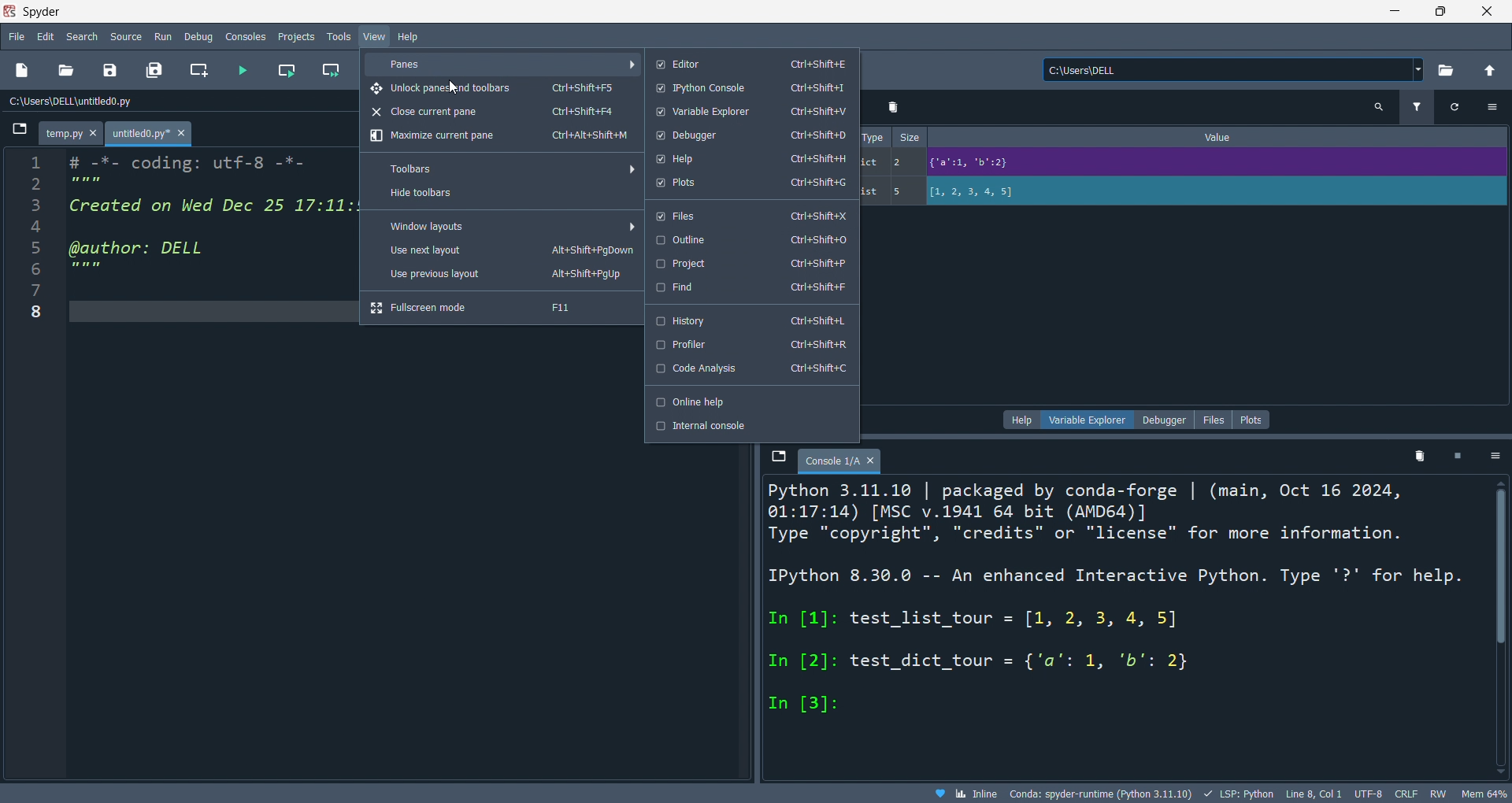  What do you see at coordinates (1392, 10) in the screenshot?
I see `minimize` at bounding box center [1392, 10].